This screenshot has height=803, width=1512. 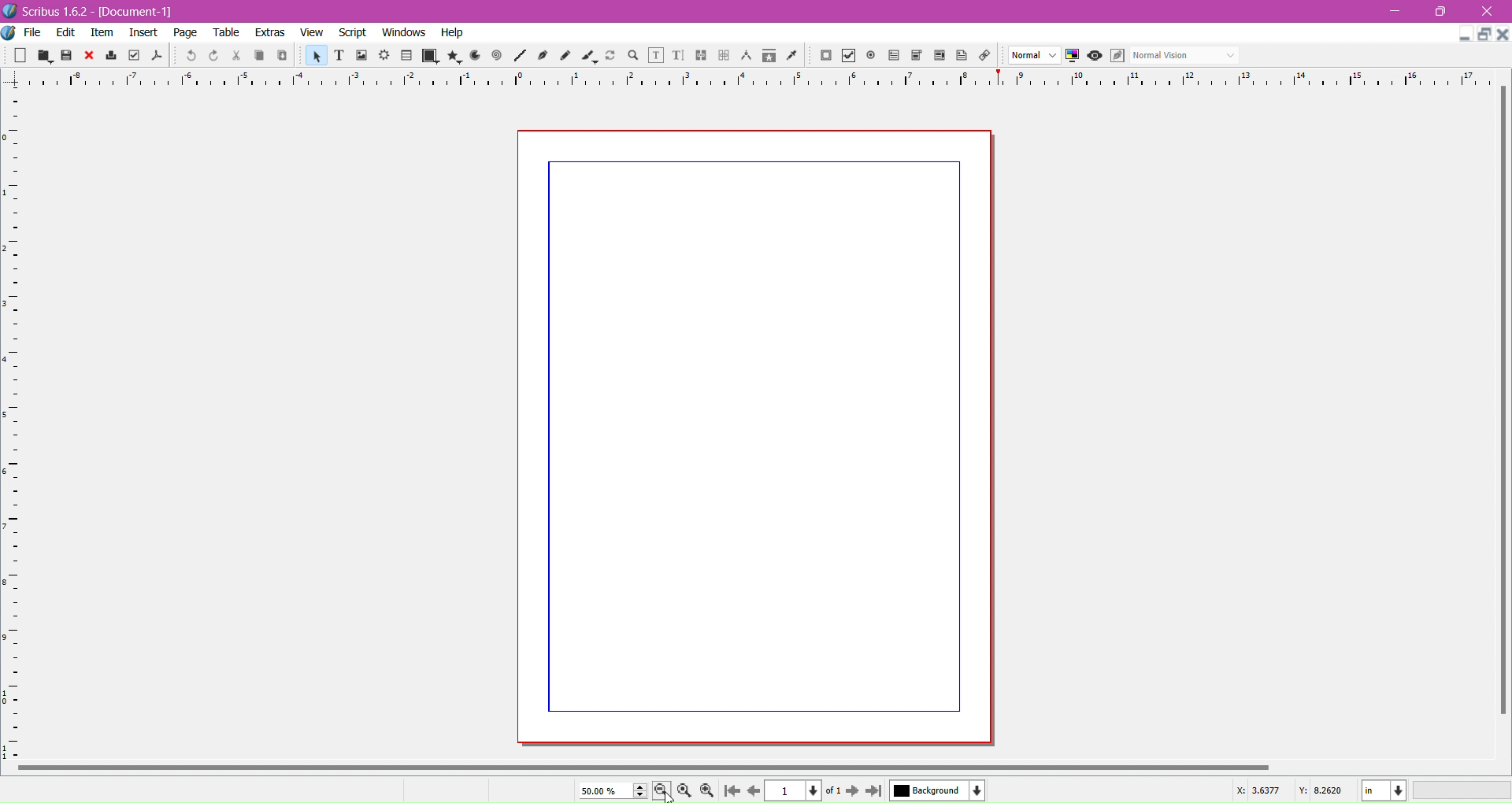 I want to click on Restore Down Document, so click(x=1484, y=34).